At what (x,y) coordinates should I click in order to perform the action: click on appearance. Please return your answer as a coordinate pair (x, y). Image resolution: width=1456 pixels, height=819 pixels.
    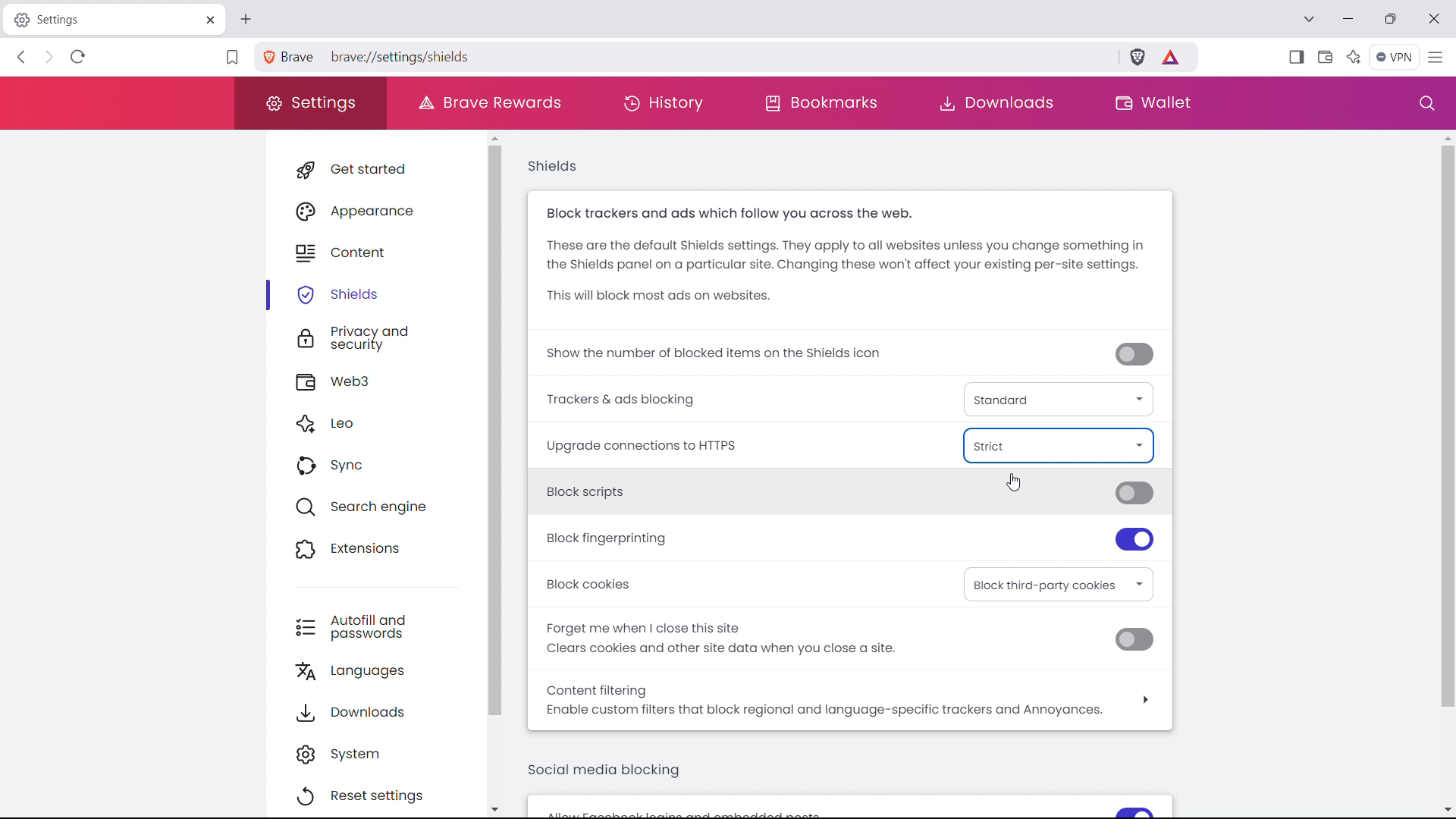
    Looking at the image, I should click on (384, 209).